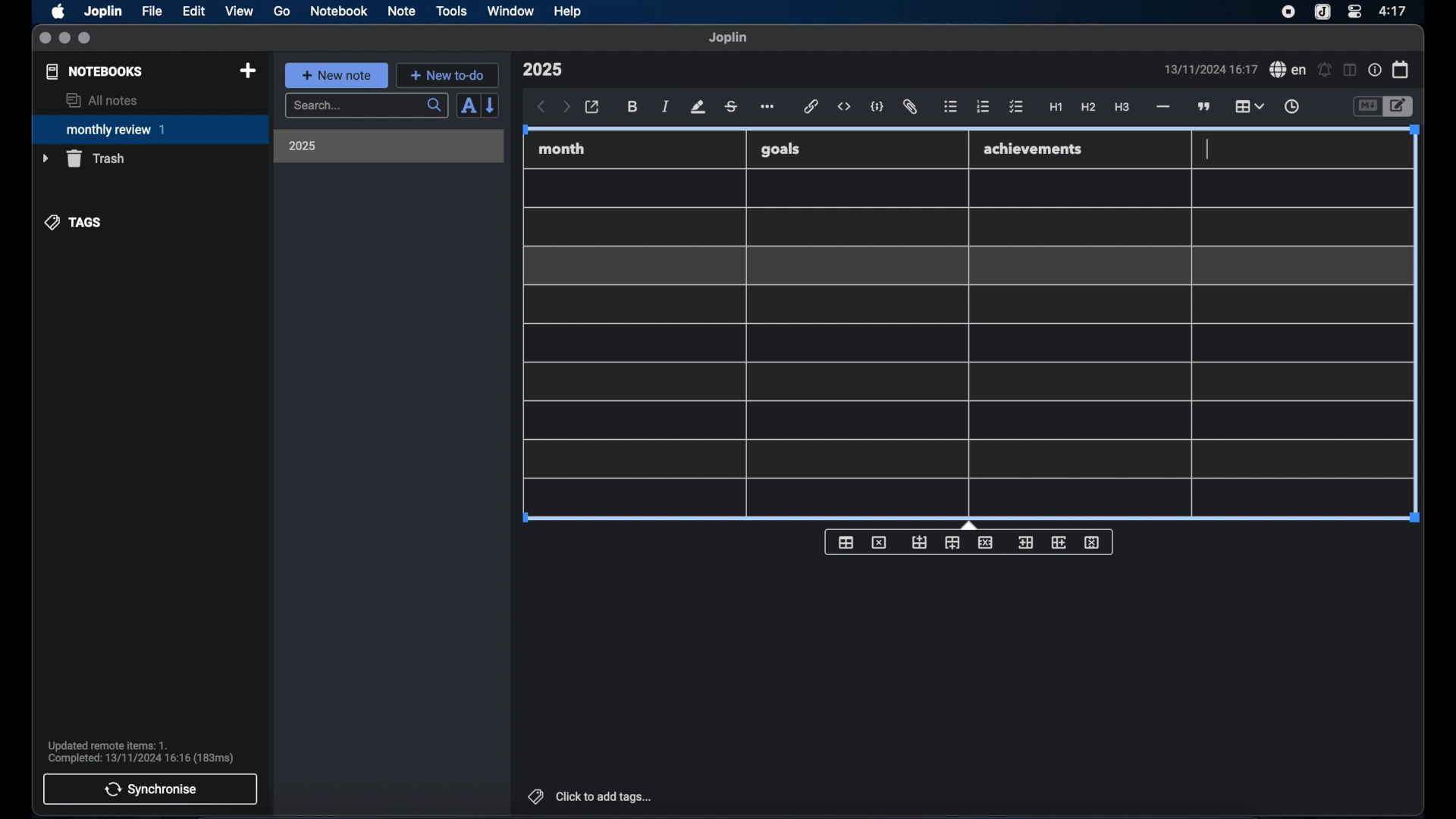 Image resolution: width=1456 pixels, height=819 pixels. I want to click on achievements, so click(1034, 149).